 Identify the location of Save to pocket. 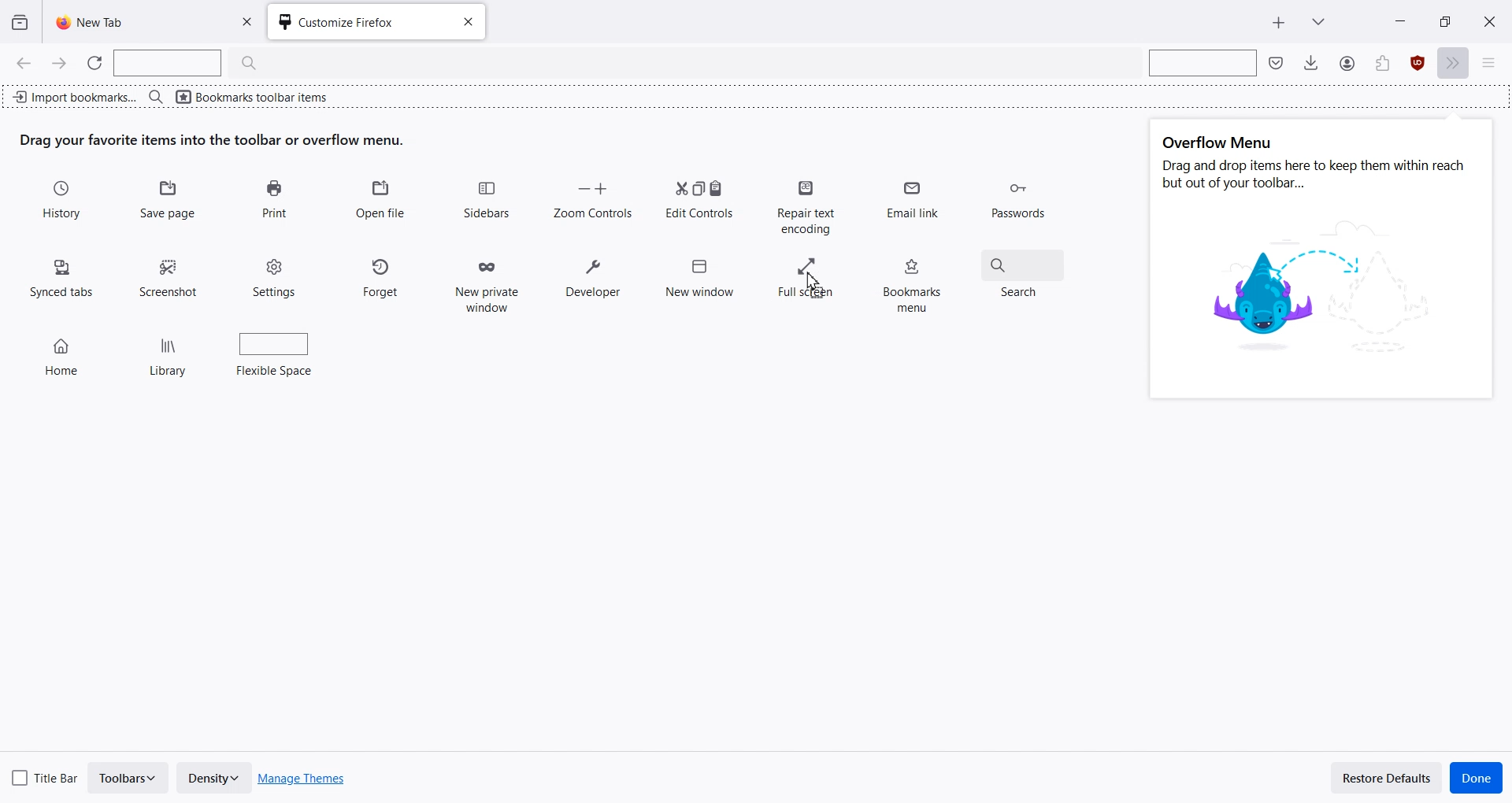
(1277, 62).